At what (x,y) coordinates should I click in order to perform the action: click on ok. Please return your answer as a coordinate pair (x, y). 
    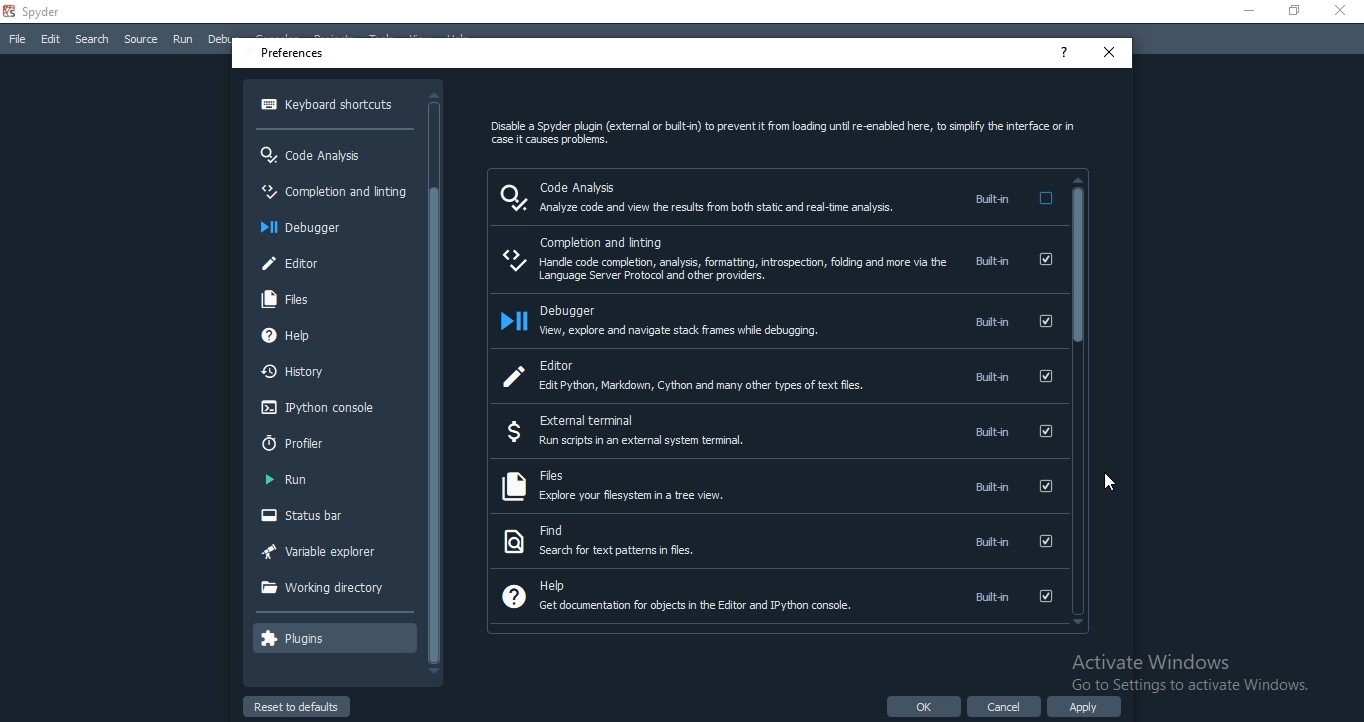
    Looking at the image, I should click on (922, 707).